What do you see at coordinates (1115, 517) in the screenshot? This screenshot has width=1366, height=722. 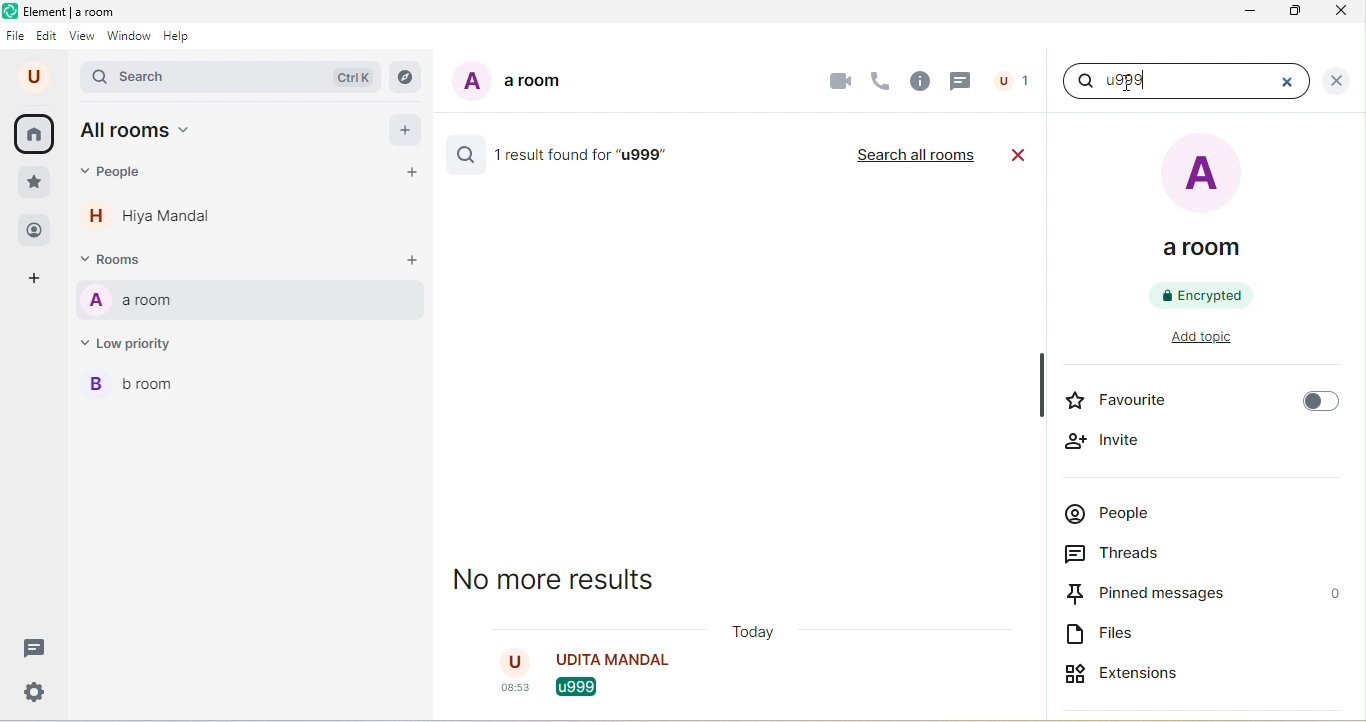 I see `people` at bounding box center [1115, 517].